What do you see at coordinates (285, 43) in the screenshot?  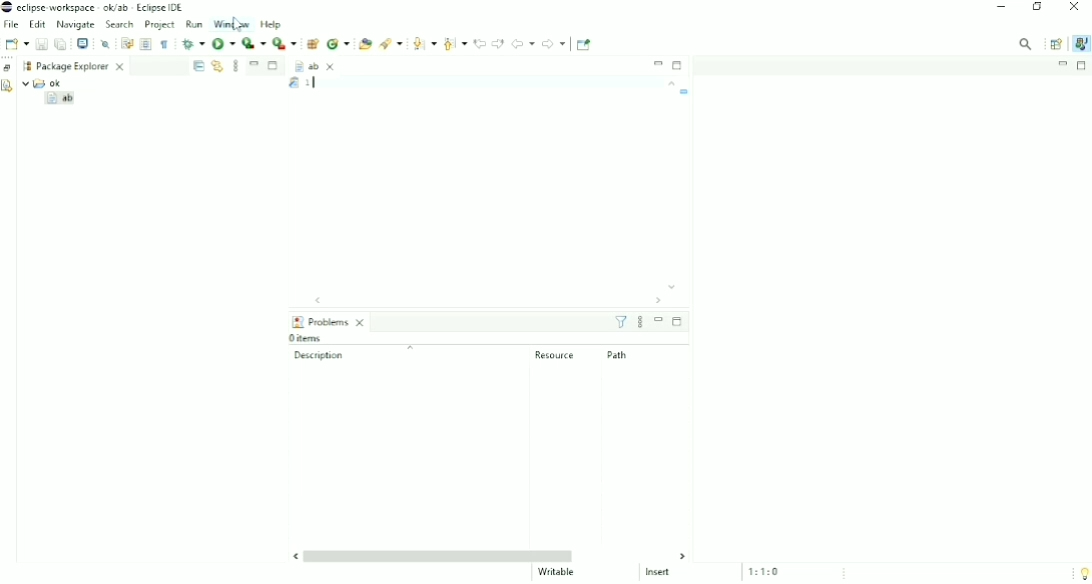 I see `Run Last Tool` at bounding box center [285, 43].